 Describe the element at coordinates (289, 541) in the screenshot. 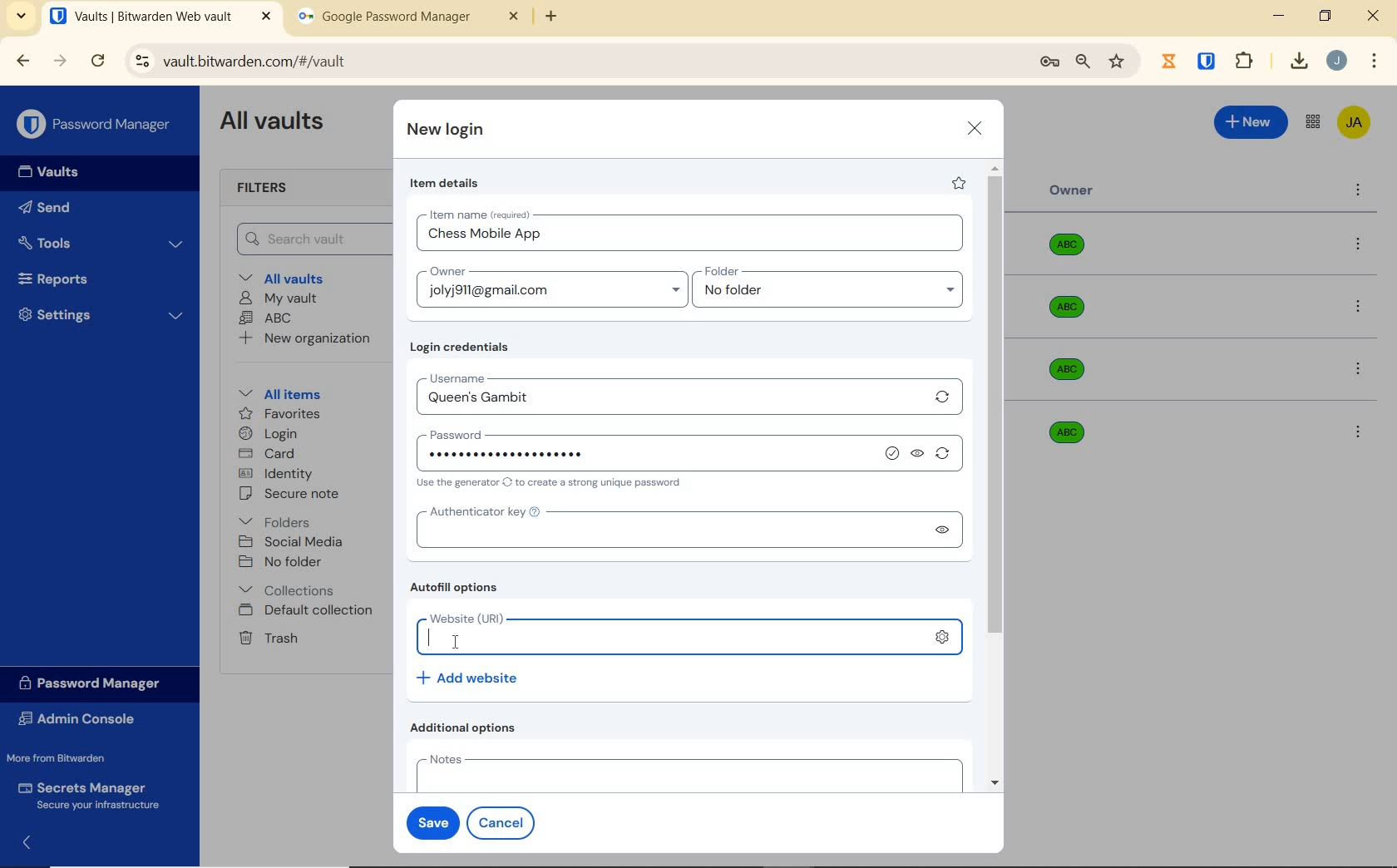

I see `Social media` at that location.